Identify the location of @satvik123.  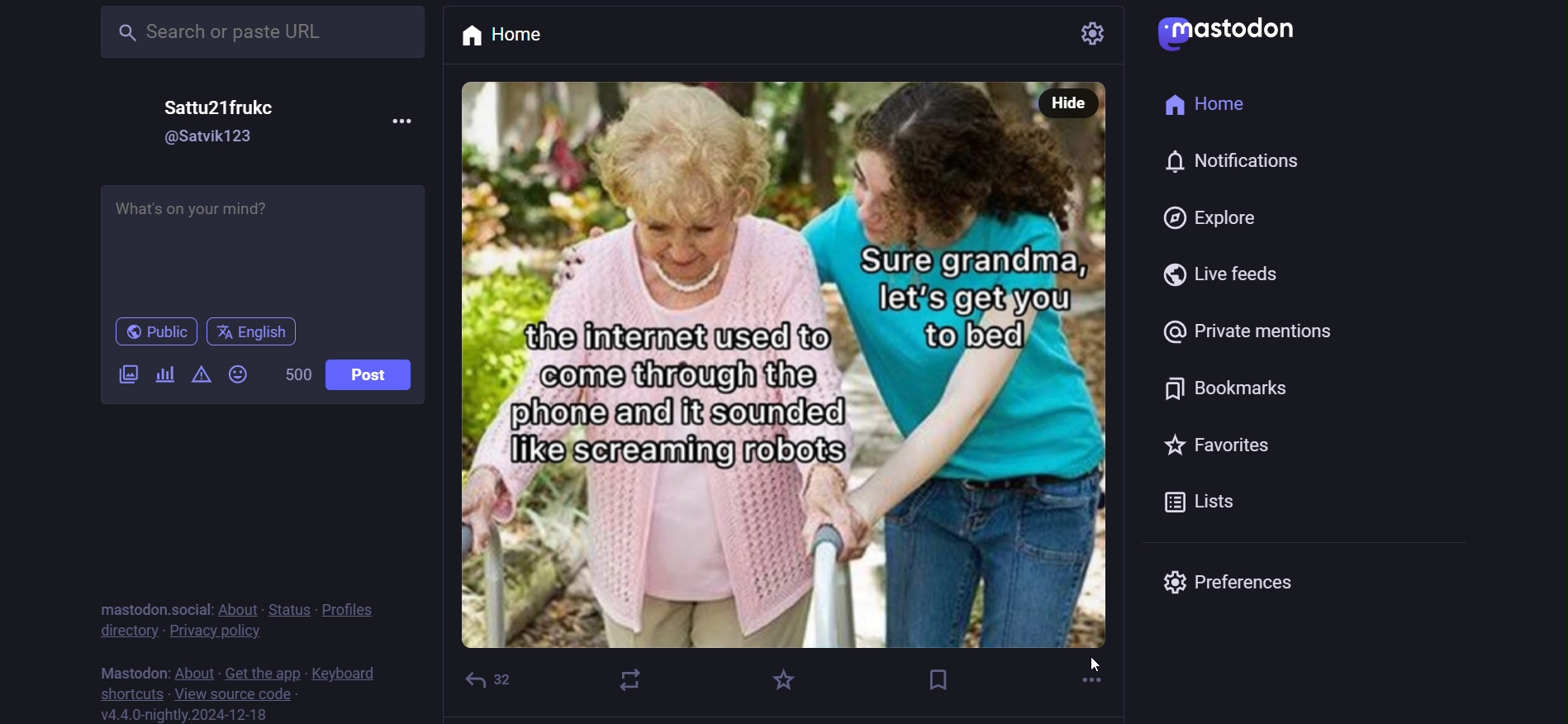
(214, 136).